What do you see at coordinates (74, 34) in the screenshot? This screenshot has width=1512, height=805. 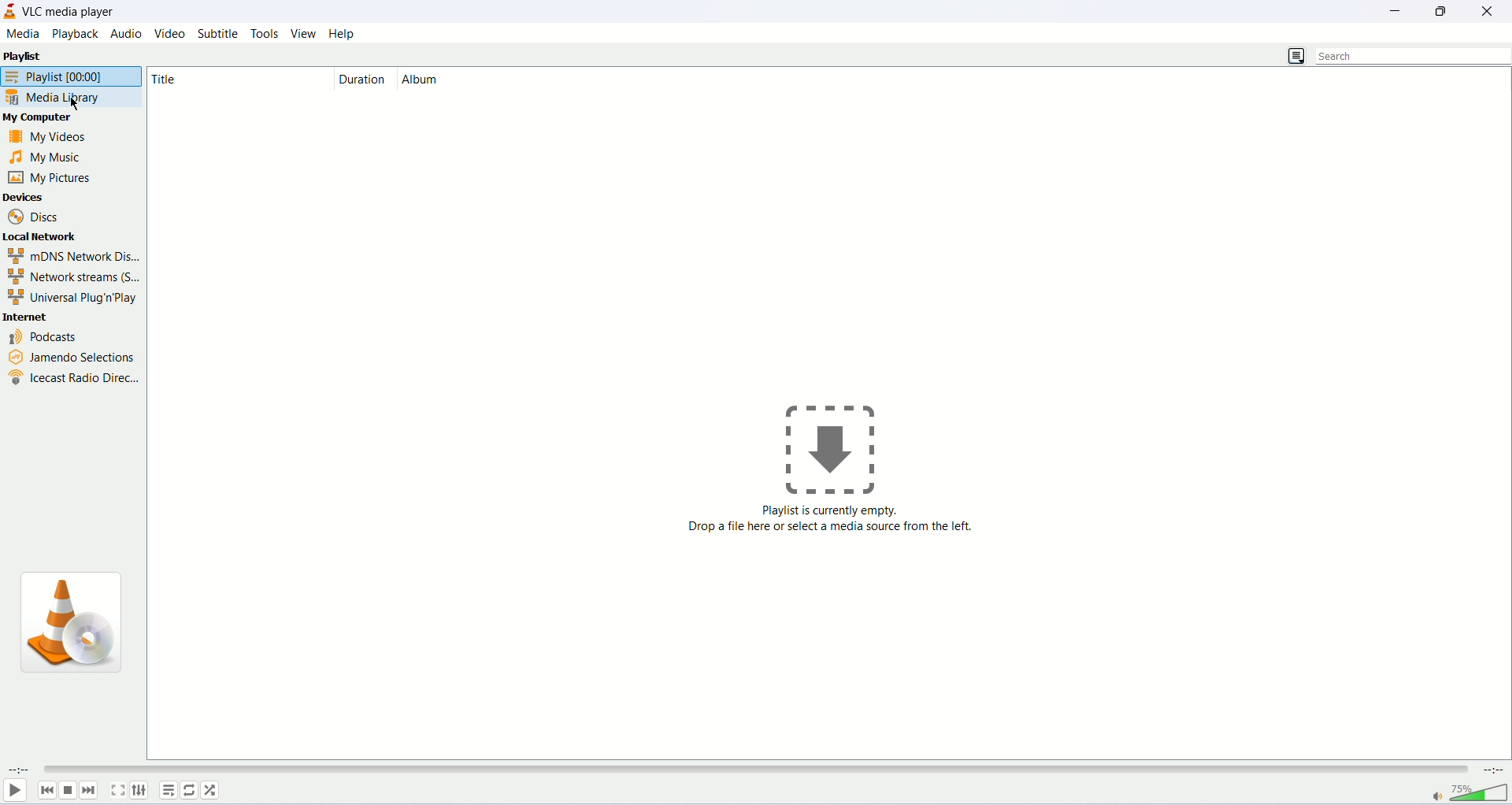 I see `playback` at bounding box center [74, 34].